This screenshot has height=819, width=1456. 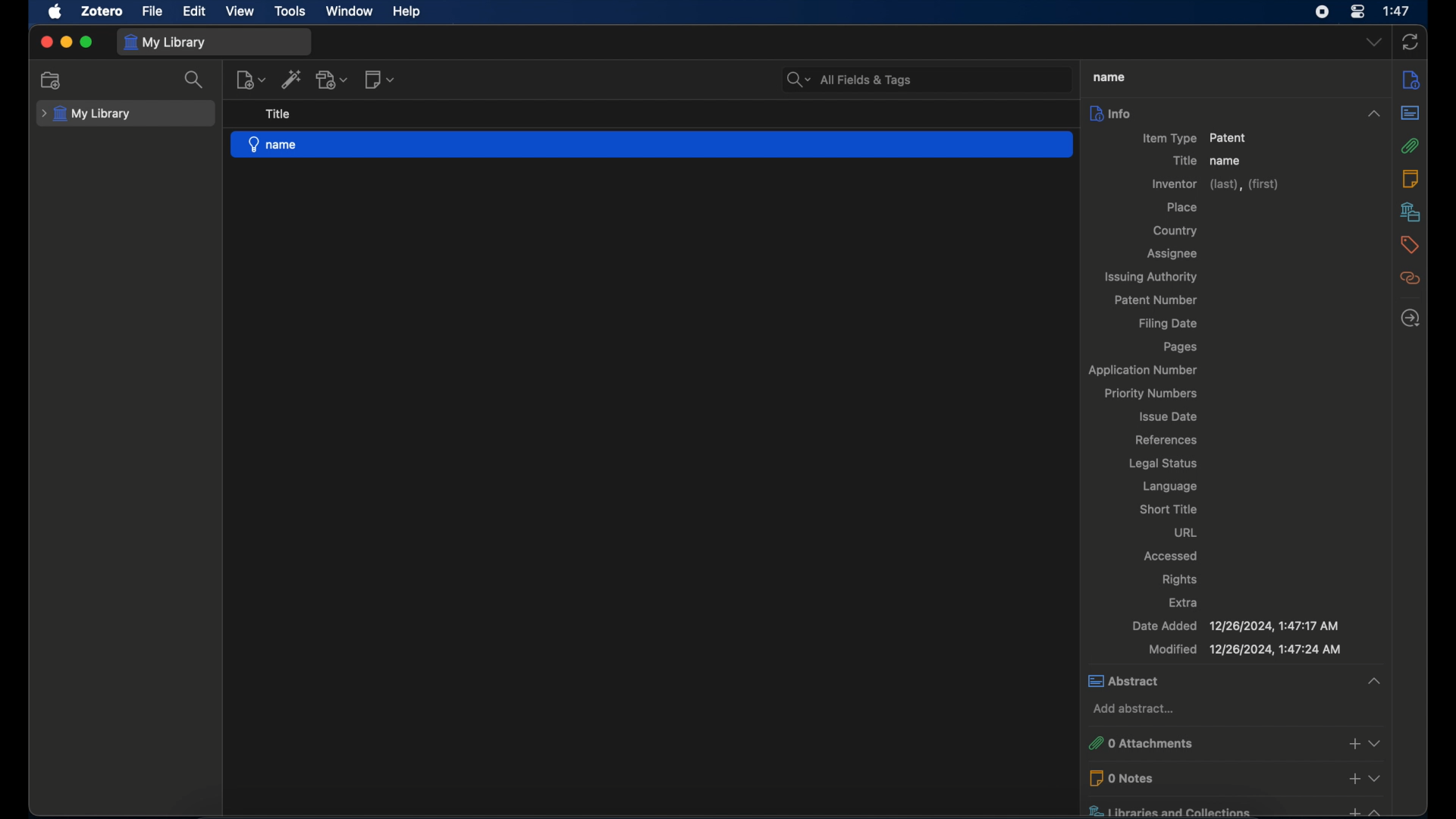 What do you see at coordinates (924, 78) in the screenshot?
I see `All Fields & Tags` at bounding box center [924, 78].